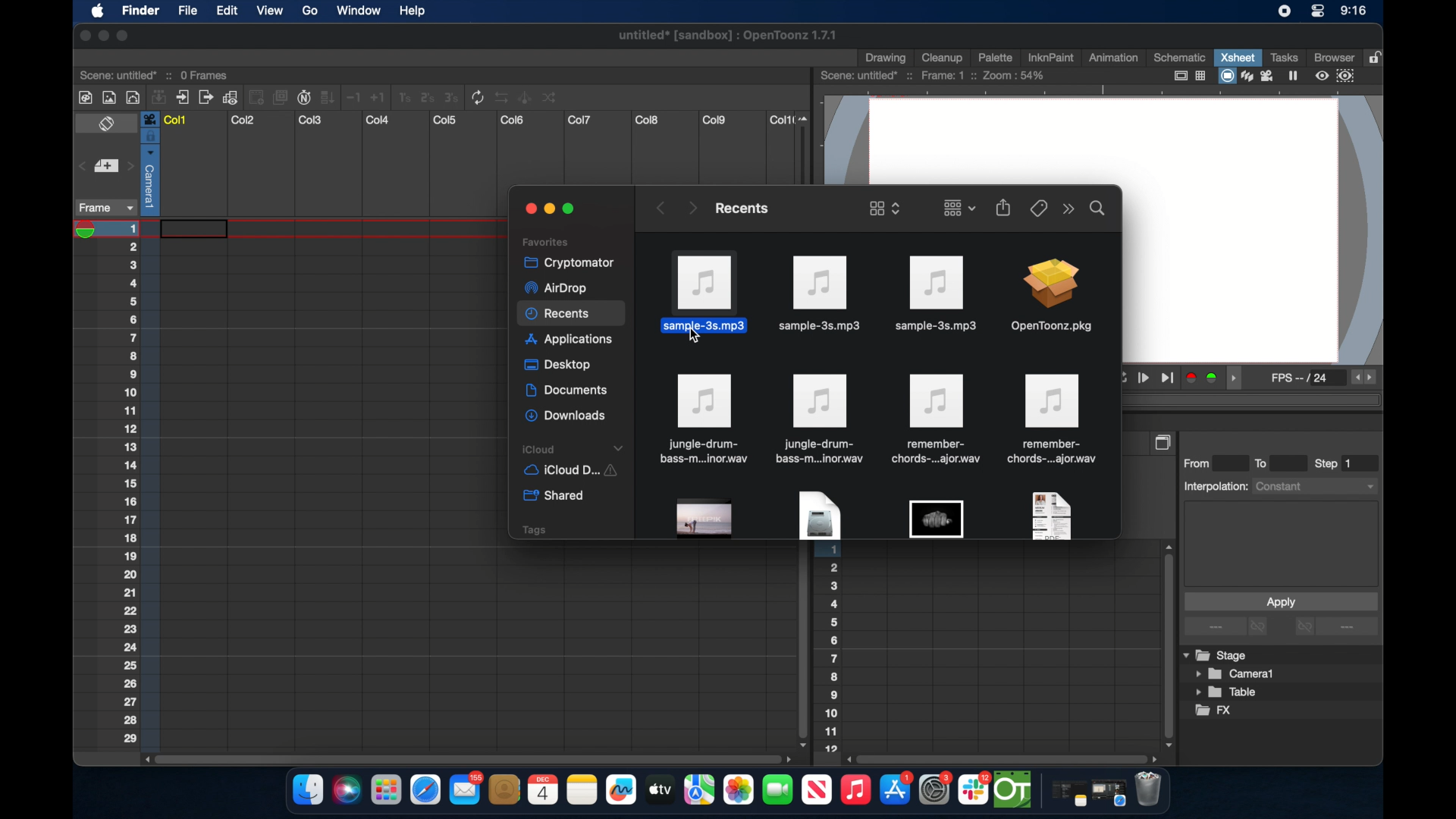 The height and width of the screenshot is (819, 1456). Describe the element at coordinates (1377, 56) in the screenshot. I see `lock` at that location.